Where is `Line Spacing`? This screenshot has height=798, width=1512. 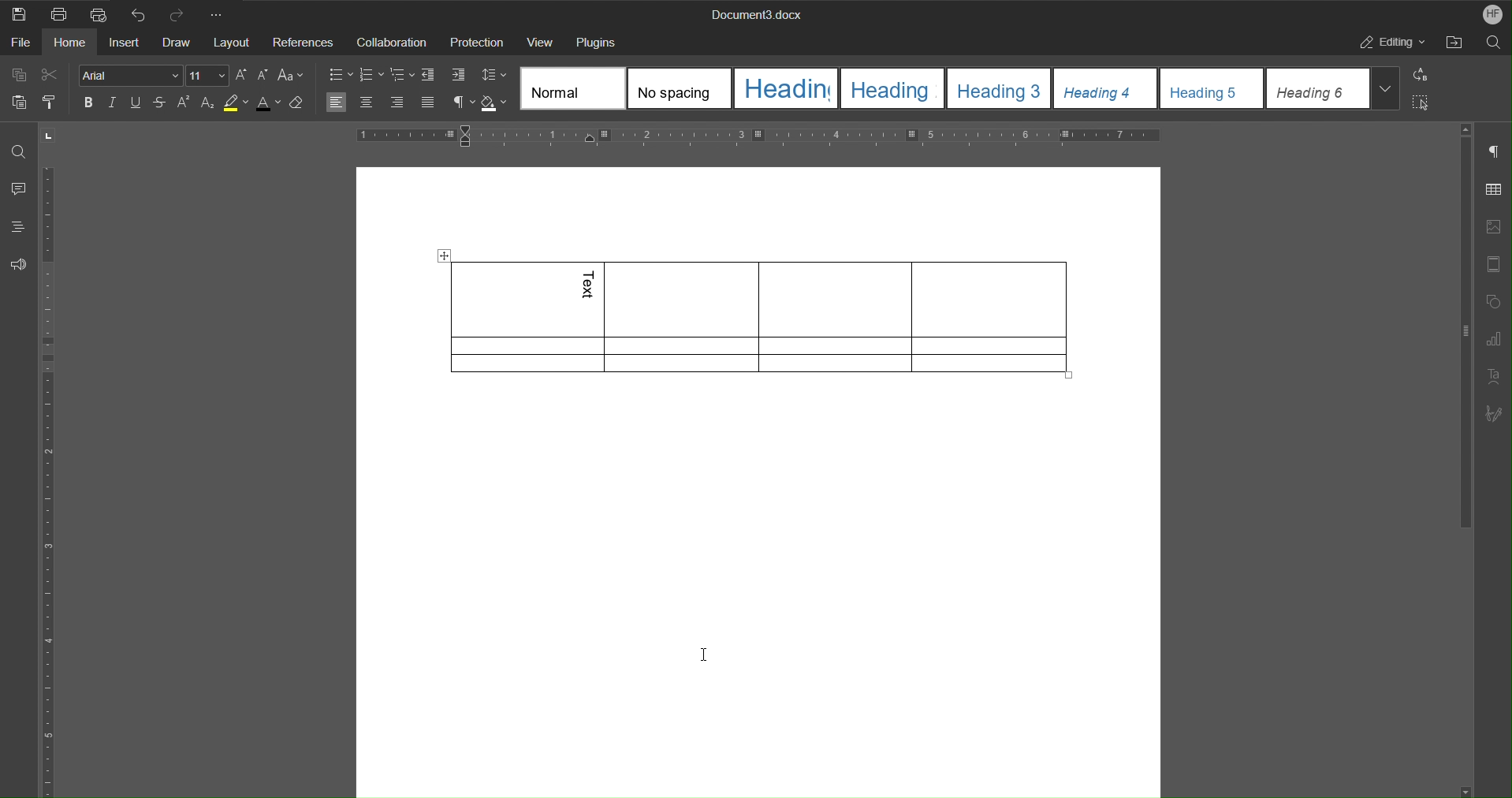
Line Spacing is located at coordinates (493, 76).